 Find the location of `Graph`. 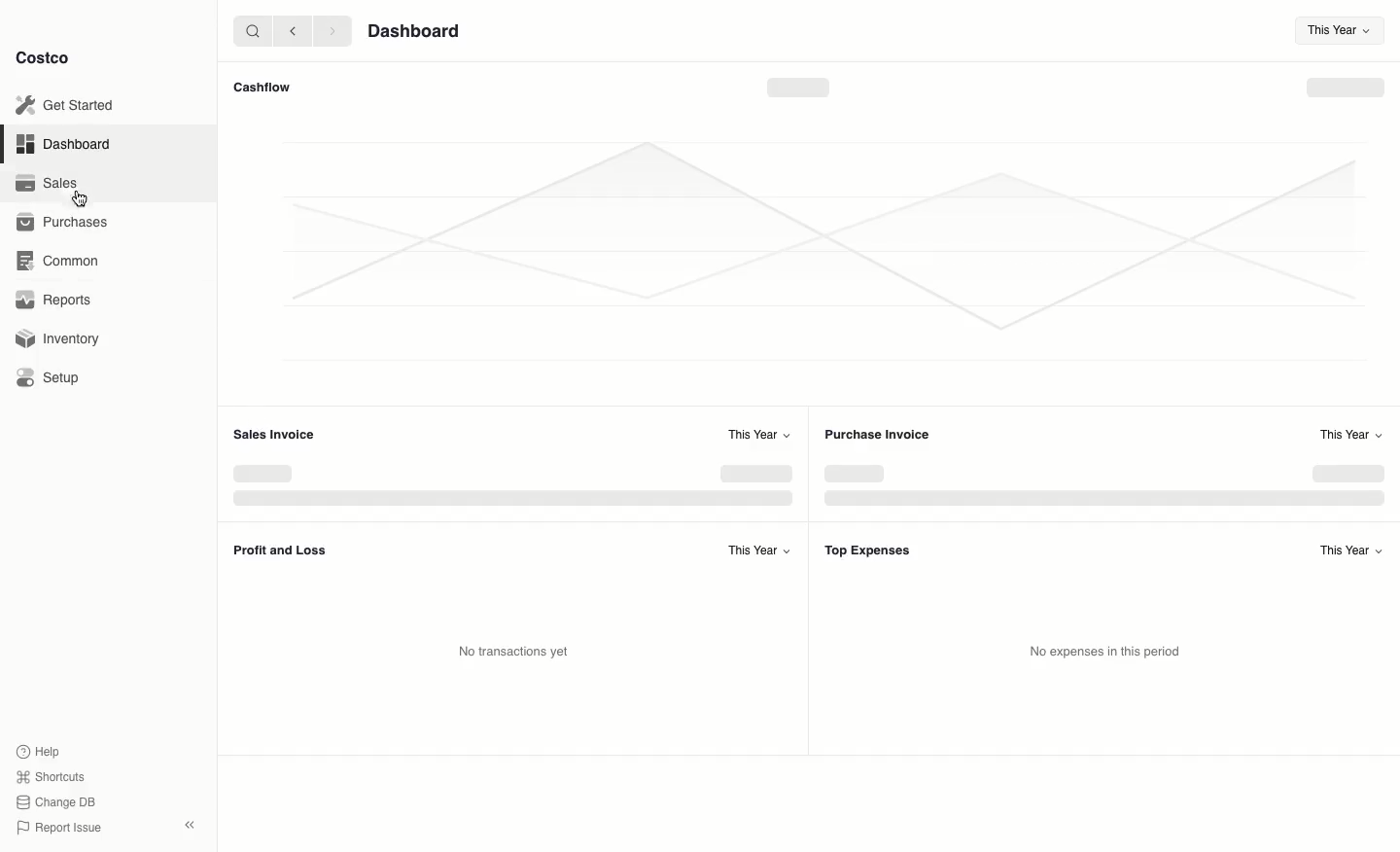

Graph is located at coordinates (798, 235).